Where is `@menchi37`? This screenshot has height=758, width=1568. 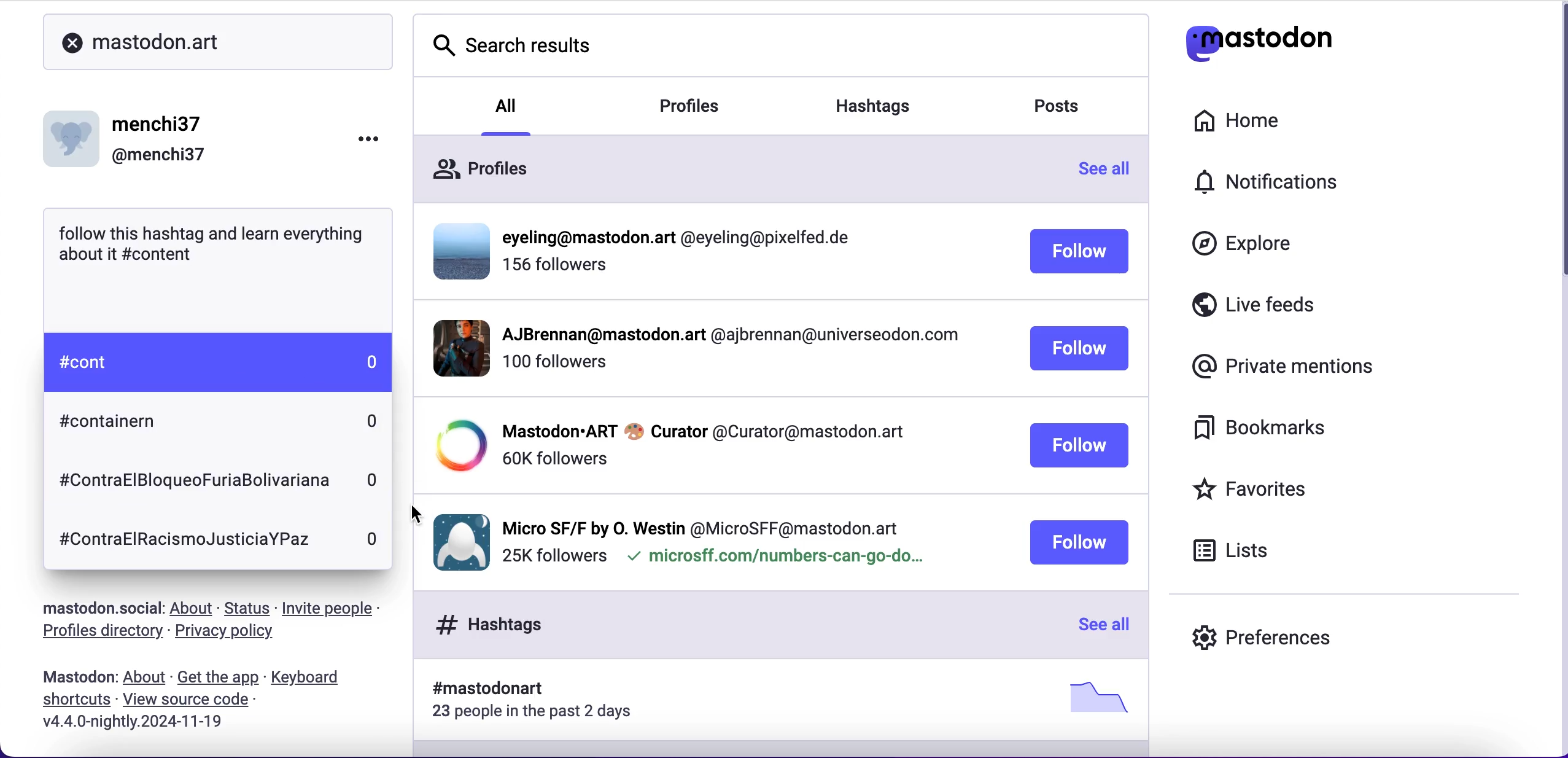 @menchi37 is located at coordinates (159, 156).